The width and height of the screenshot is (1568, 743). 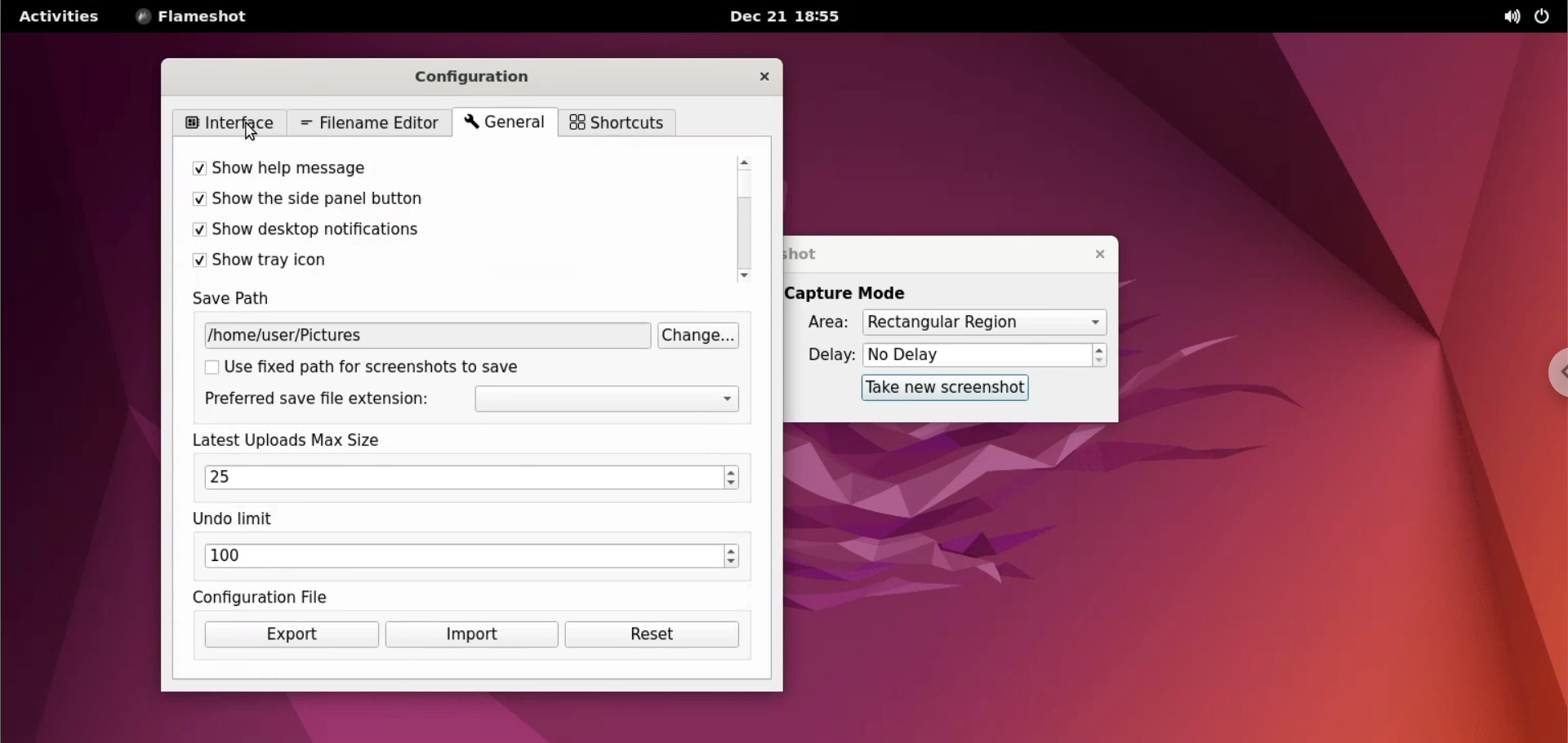 What do you see at coordinates (501, 123) in the screenshot?
I see `general ` at bounding box center [501, 123].